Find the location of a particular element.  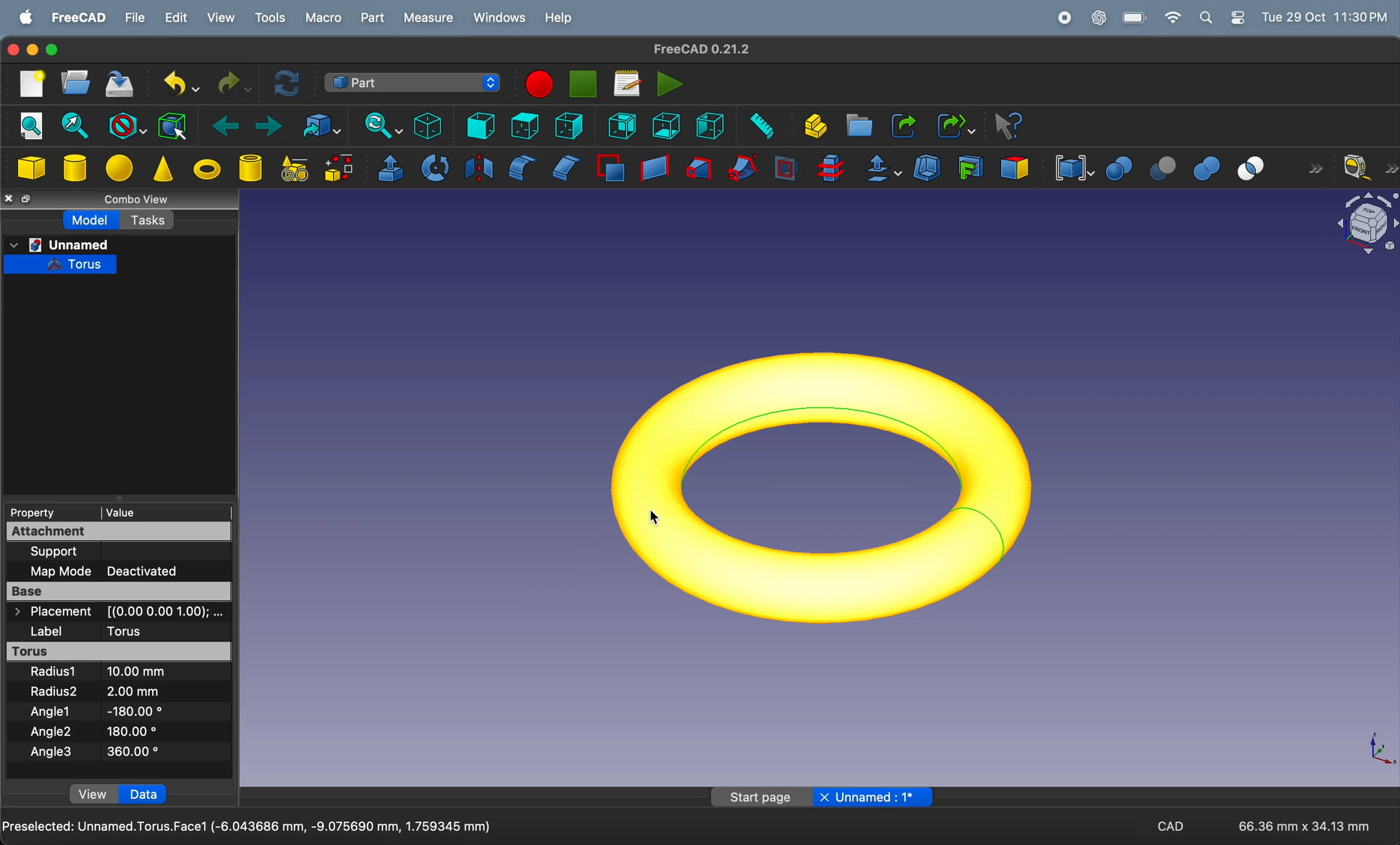

radius 1 is located at coordinates (56, 672).